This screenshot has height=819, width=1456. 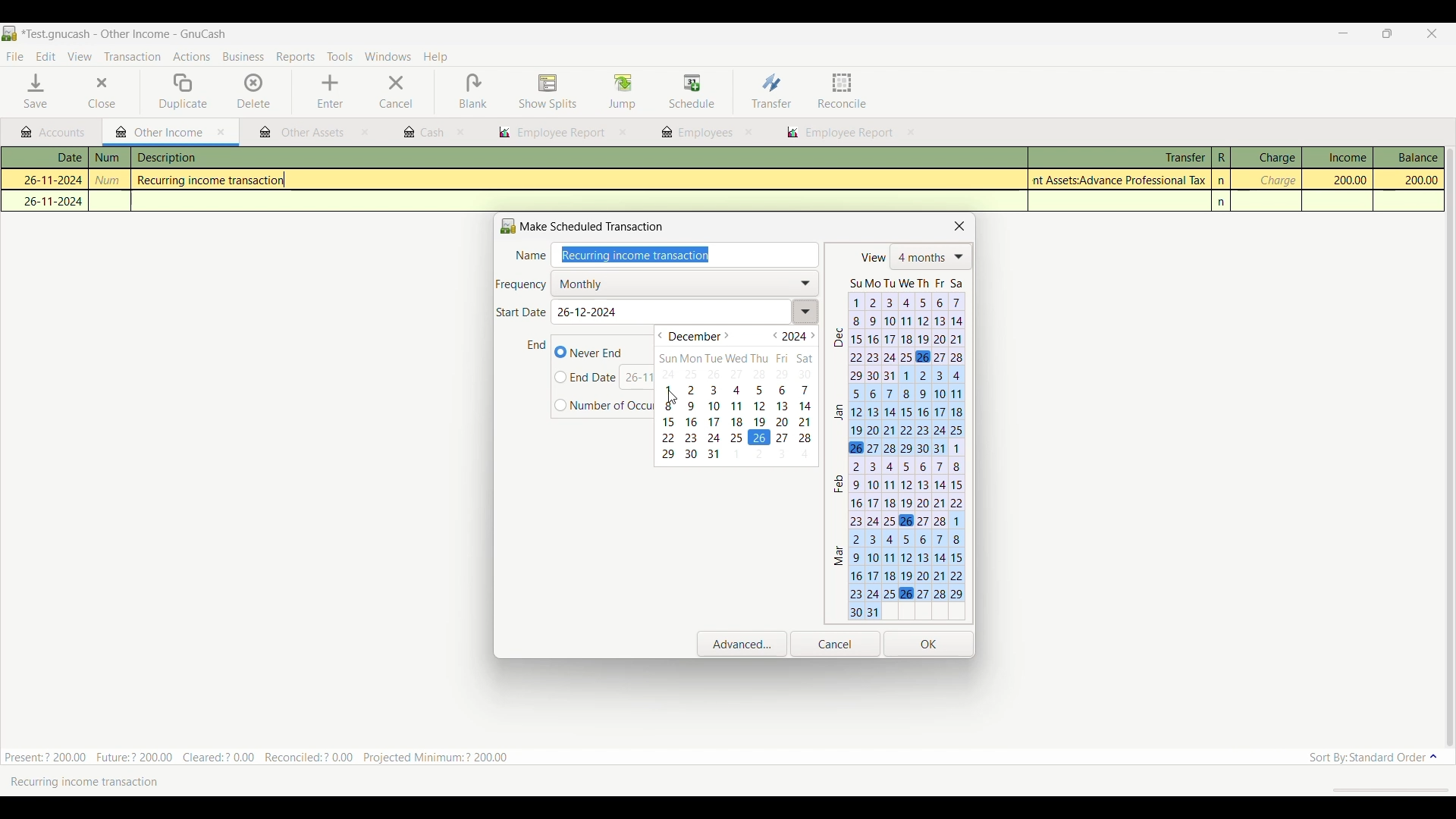 I want to click on Go to next month, so click(x=726, y=336).